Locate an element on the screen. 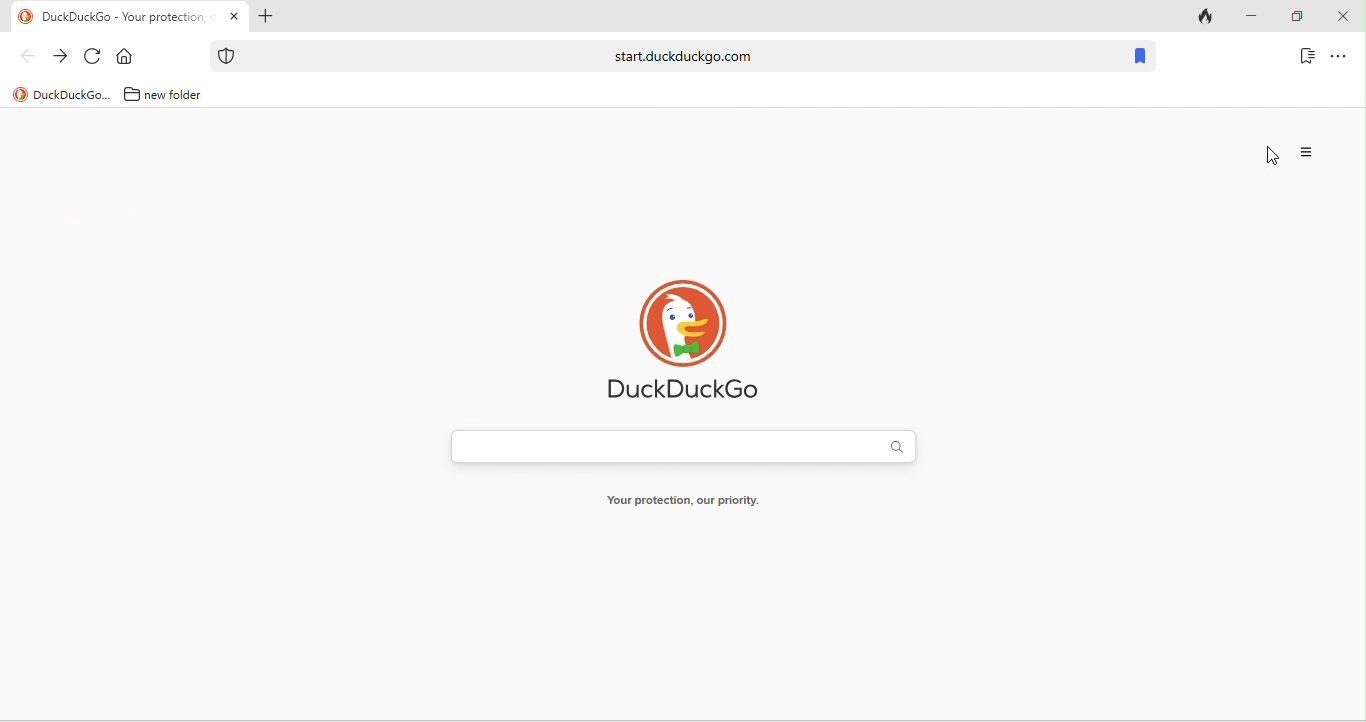 The width and height of the screenshot is (1366, 722). options is located at coordinates (1345, 57).